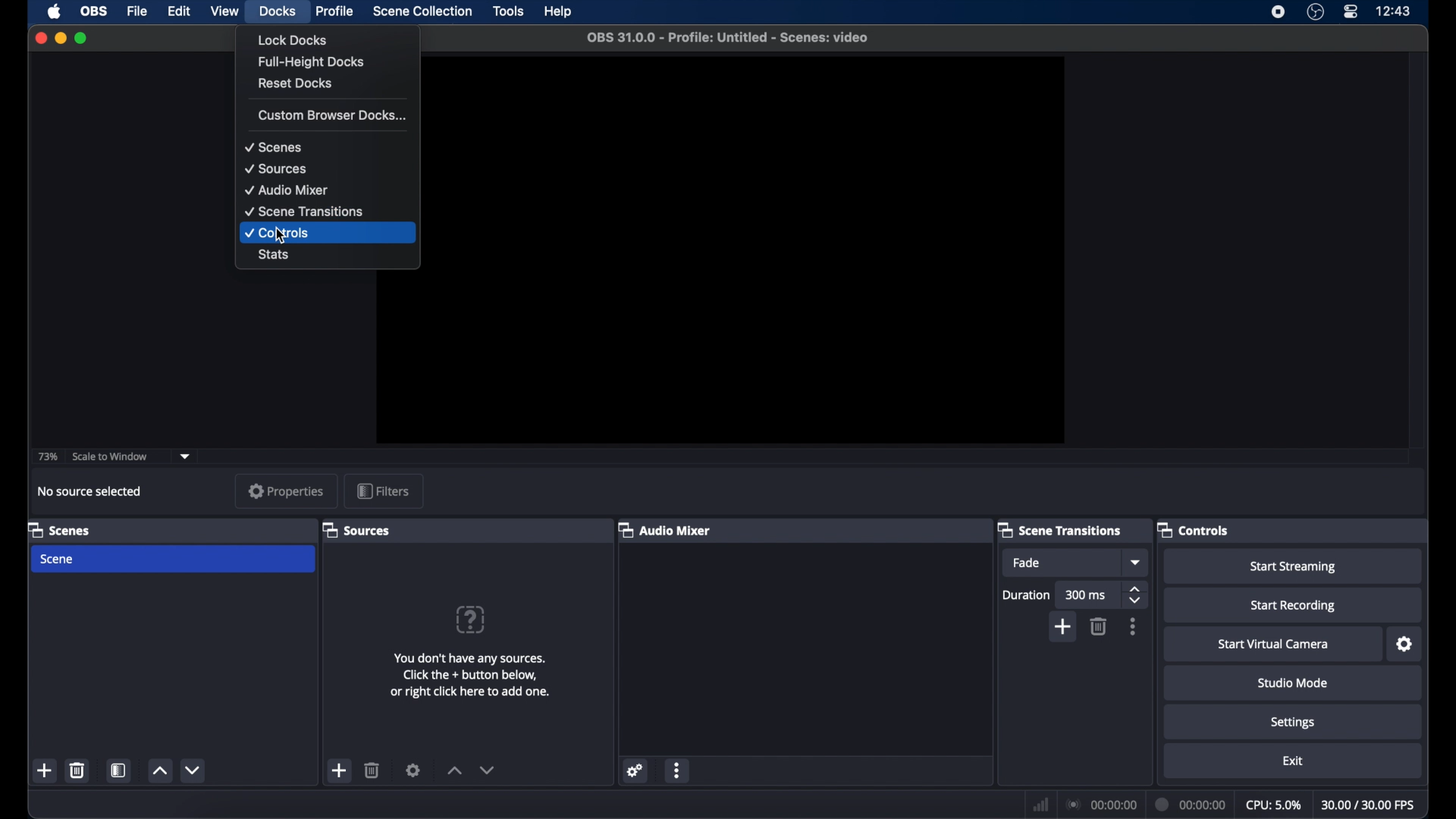 The width and height of the screenshot is (1456, 819). Describe the element at coordinates (557, 11) in the screenshot. I see `help` at that location.